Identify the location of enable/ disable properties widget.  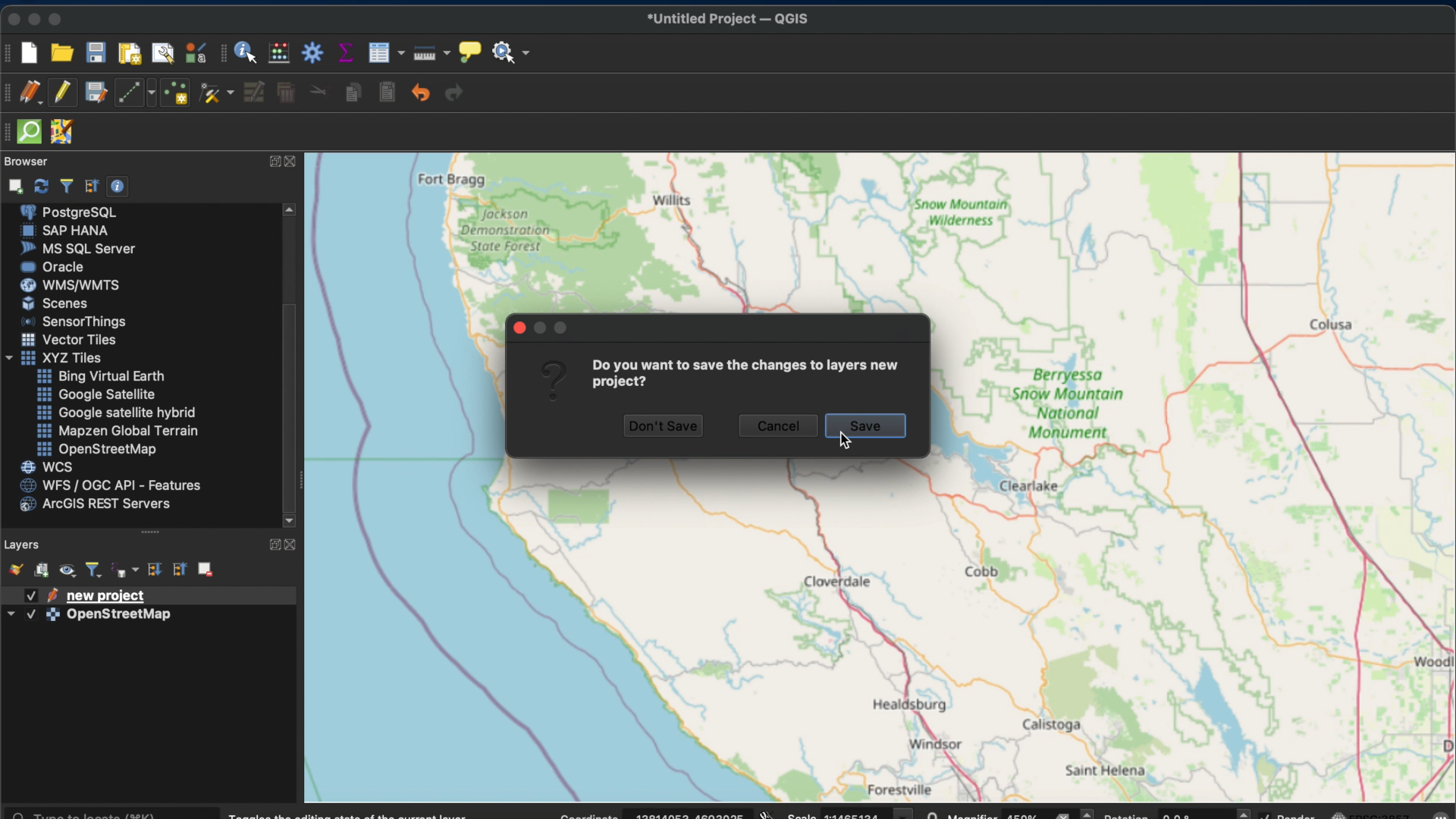
(118, 186).